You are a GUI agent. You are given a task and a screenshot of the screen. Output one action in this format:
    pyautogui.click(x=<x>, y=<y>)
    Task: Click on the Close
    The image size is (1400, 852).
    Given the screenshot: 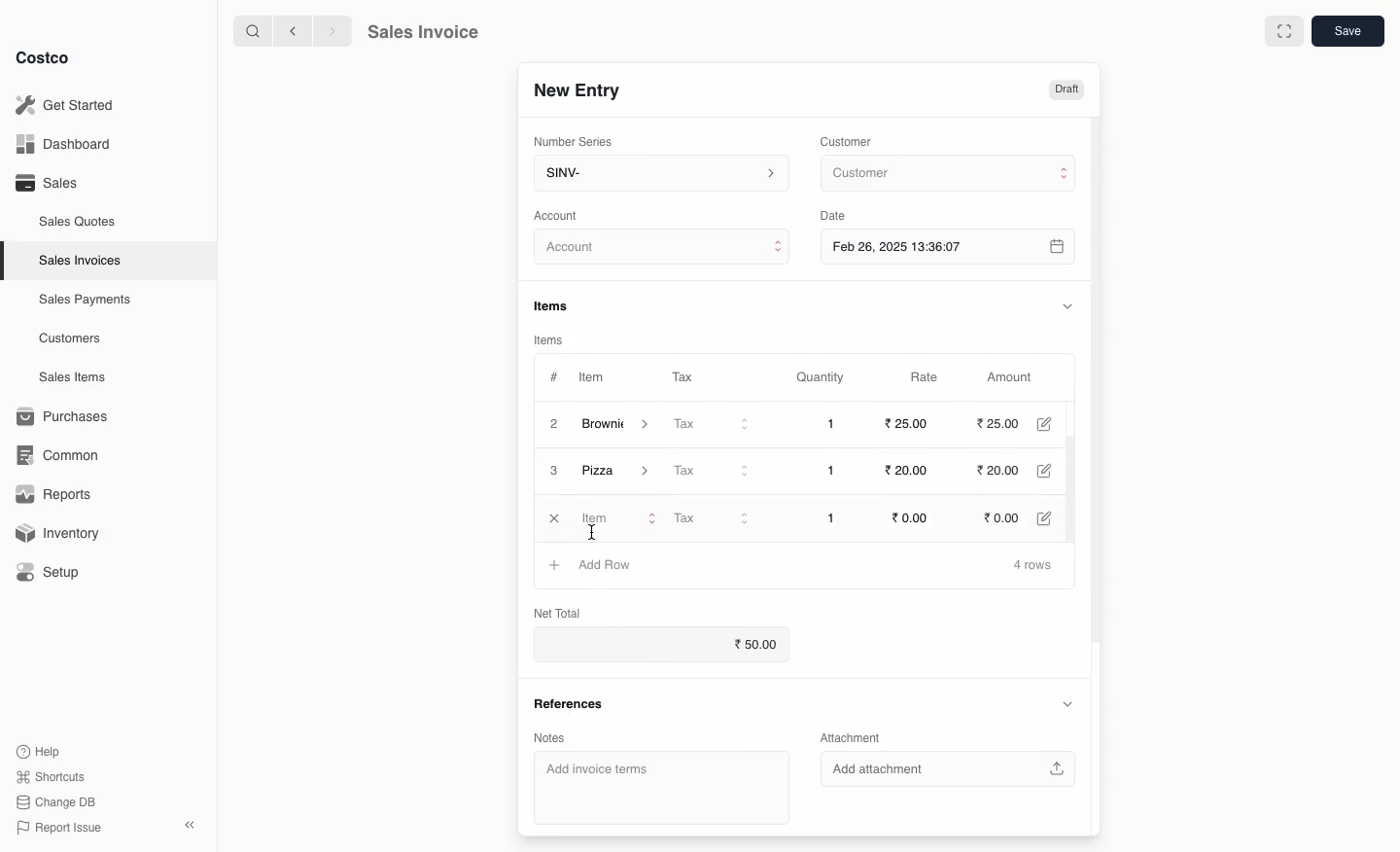 What is the action you would take?
    pyautogui.click(x=555, y=518)
    